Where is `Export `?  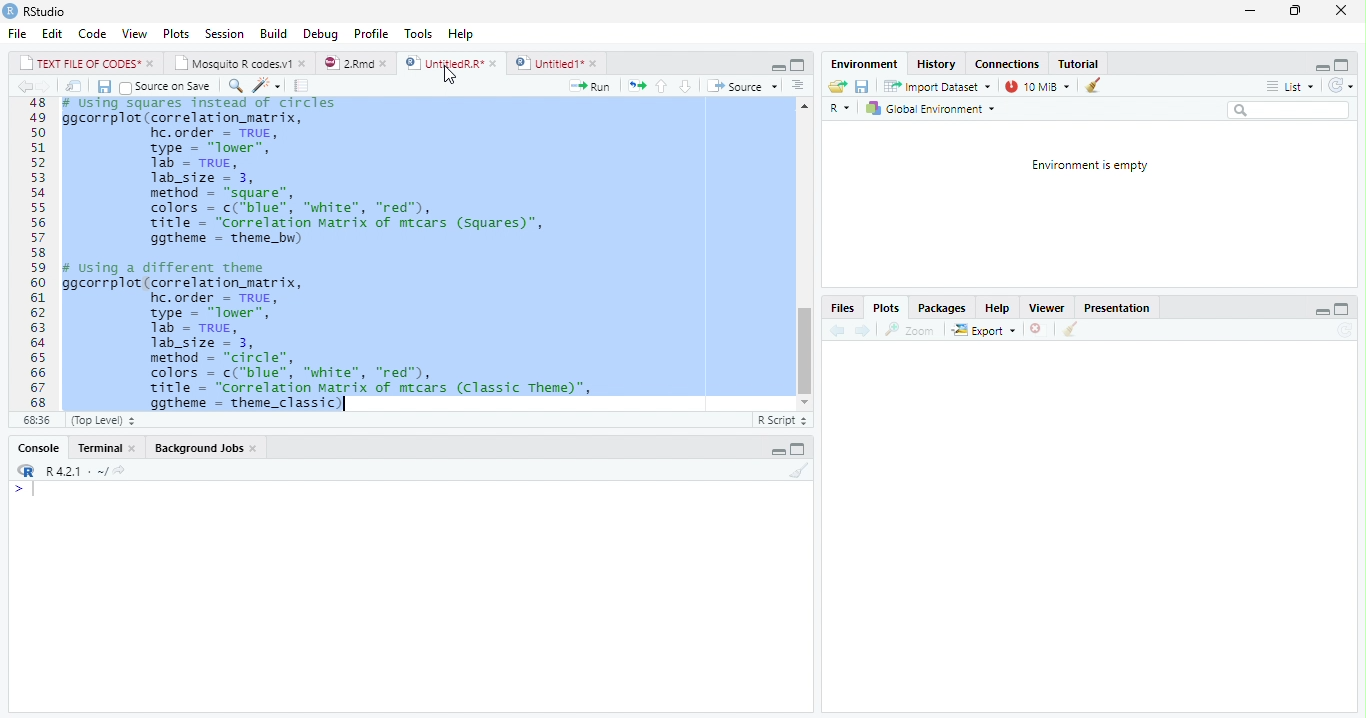 Export  is located at coordinates (983, 330).